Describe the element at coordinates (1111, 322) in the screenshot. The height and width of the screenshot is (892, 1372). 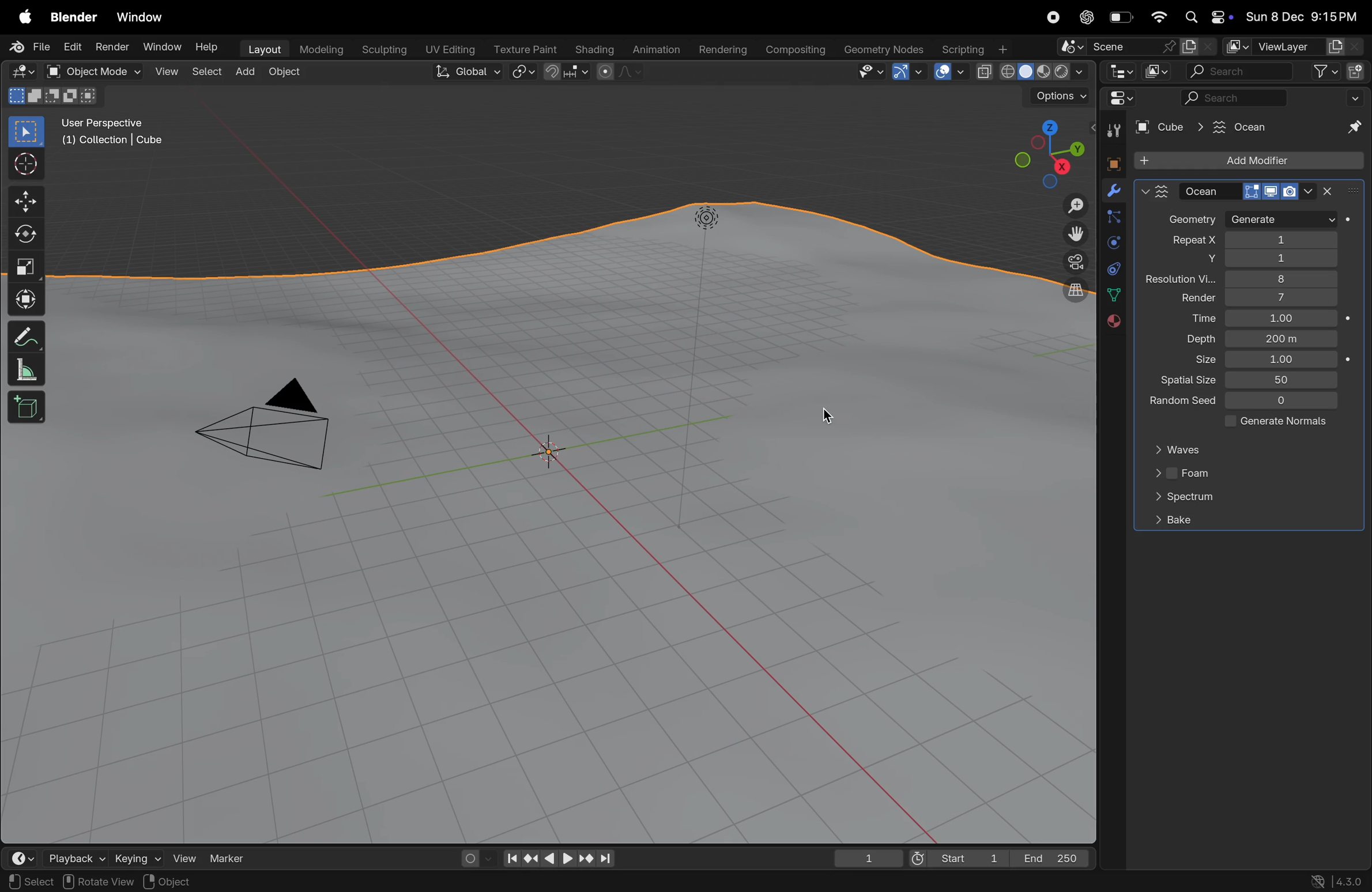
I see `material` at that location.